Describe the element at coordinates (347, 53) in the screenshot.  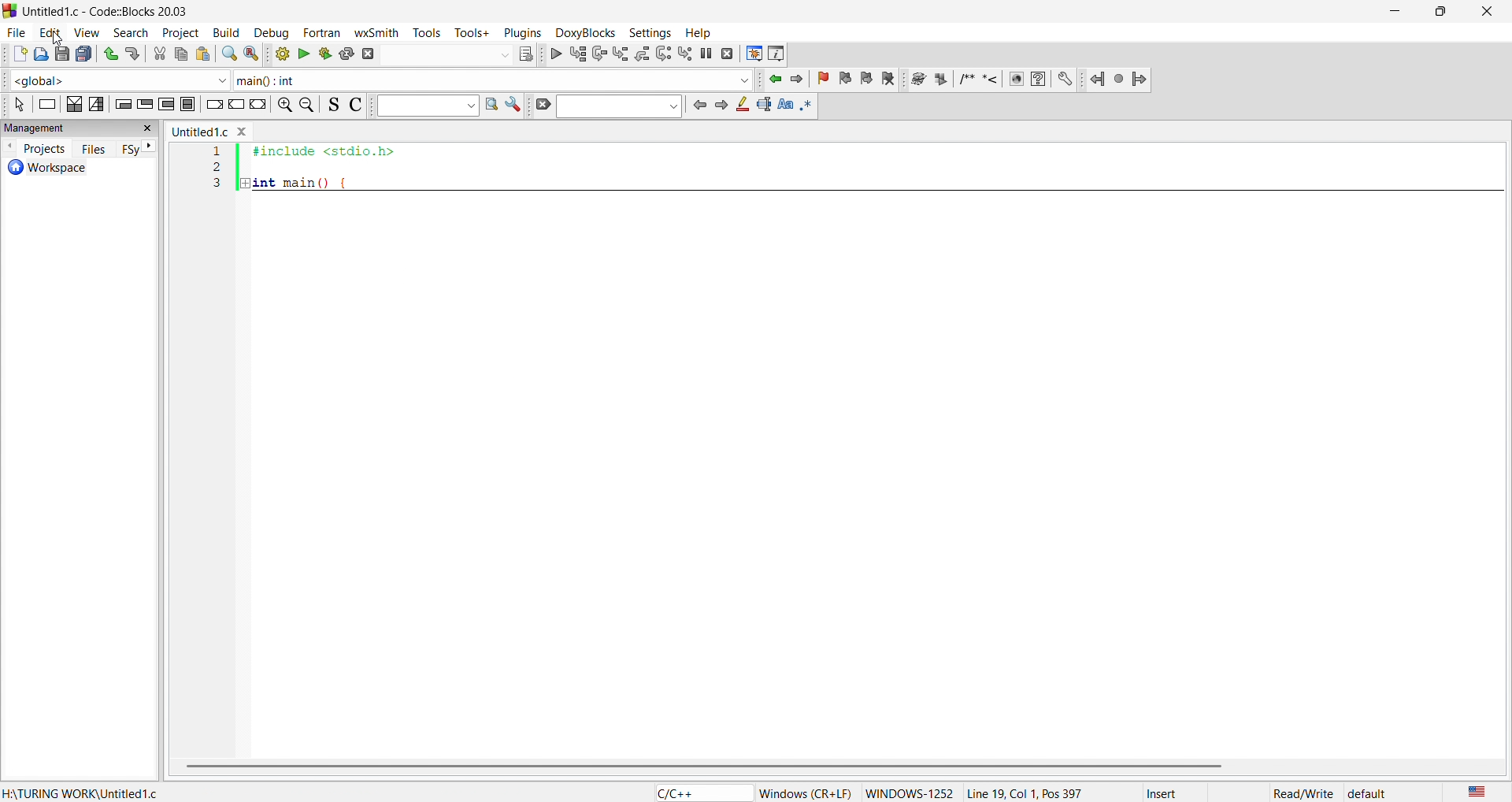
I see `rebuild` at that location.